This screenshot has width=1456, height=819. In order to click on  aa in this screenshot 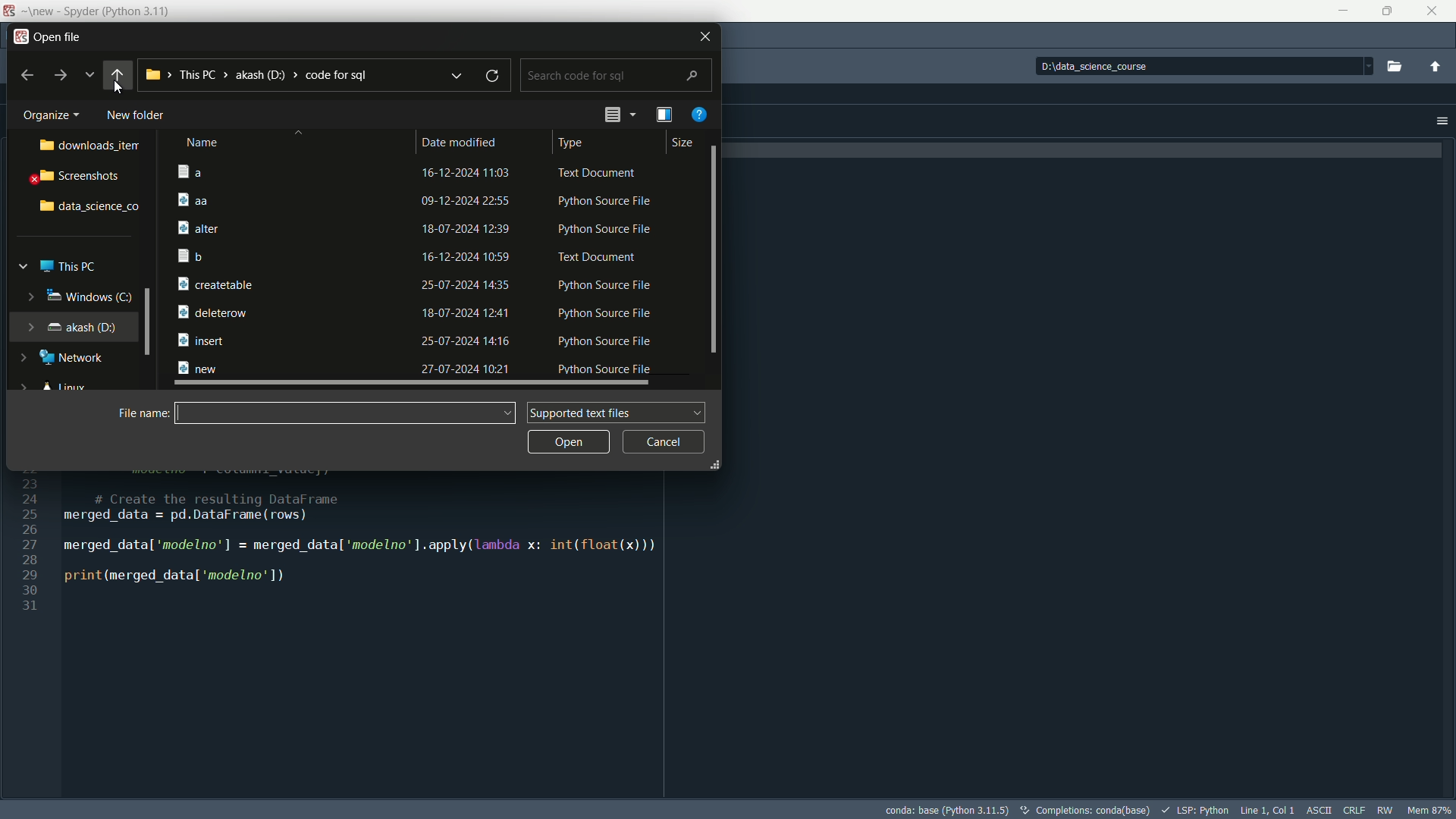, I will do `click(203, 196)`.